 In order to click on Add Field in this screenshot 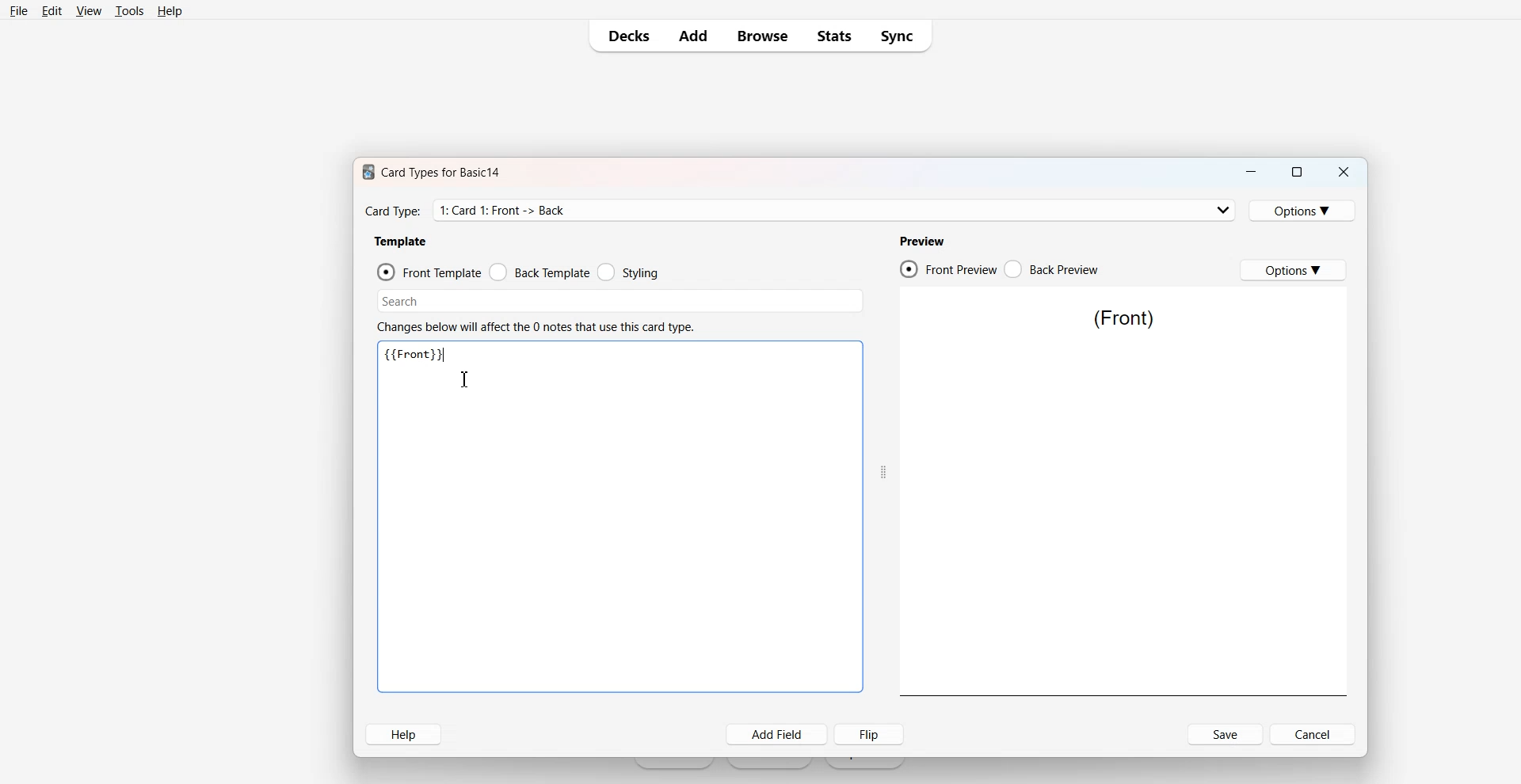, I will do `click(778, 735)`.